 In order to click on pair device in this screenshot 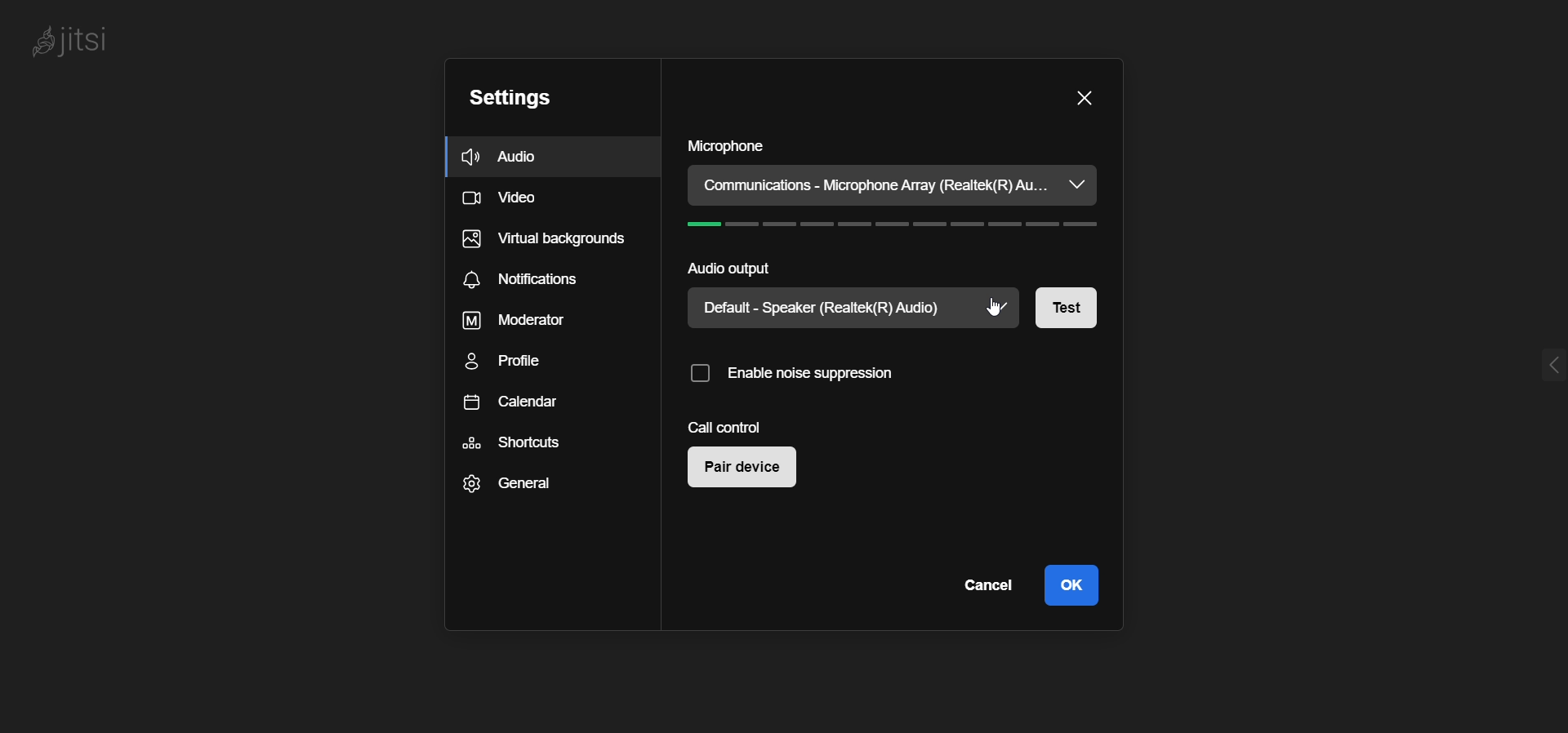, I will do `click(749, 470)`.